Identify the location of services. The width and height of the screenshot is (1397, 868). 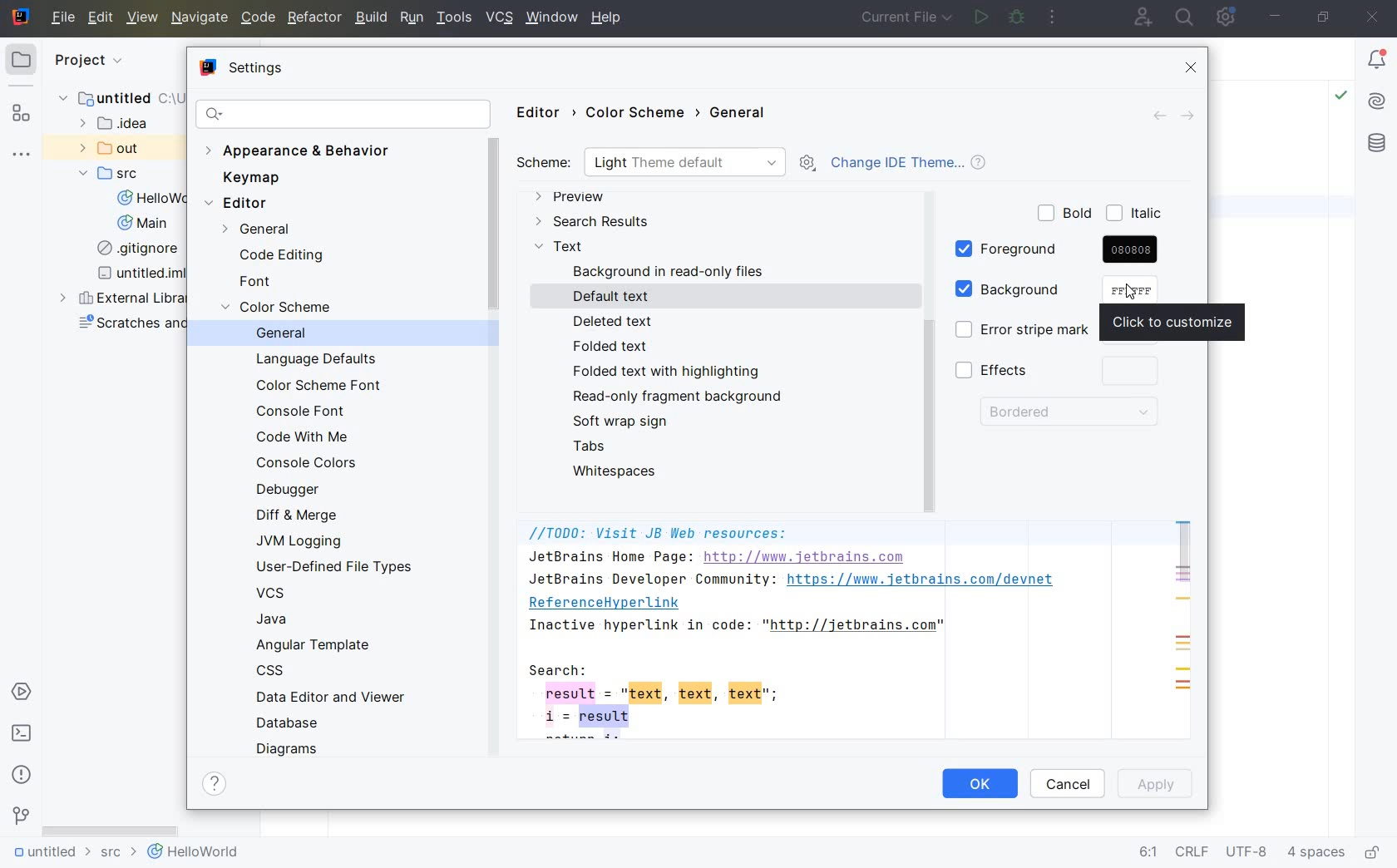
(21, 693).